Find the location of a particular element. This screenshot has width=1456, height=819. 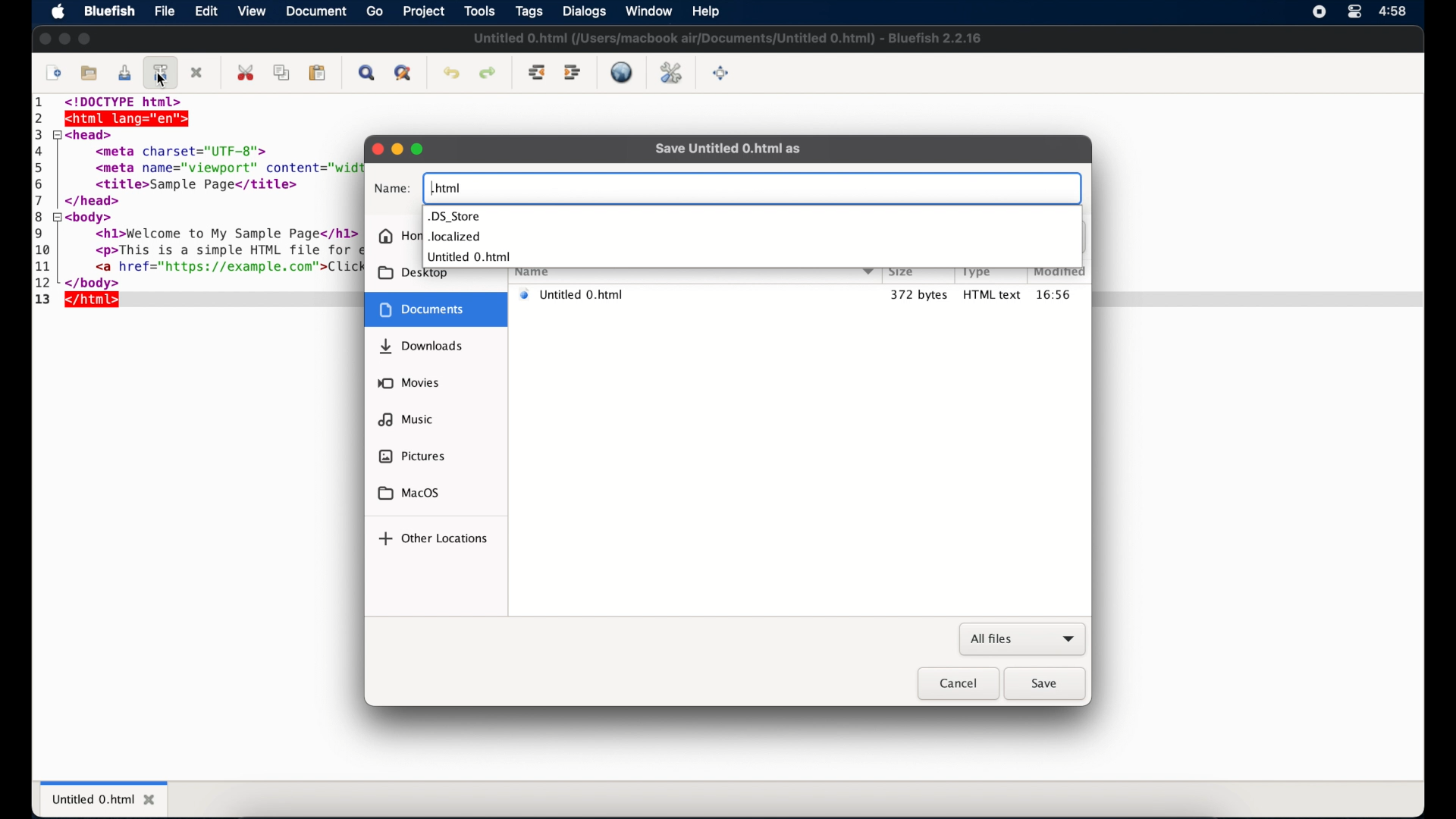

advanced find and replace is located at coordinates (404, 74).